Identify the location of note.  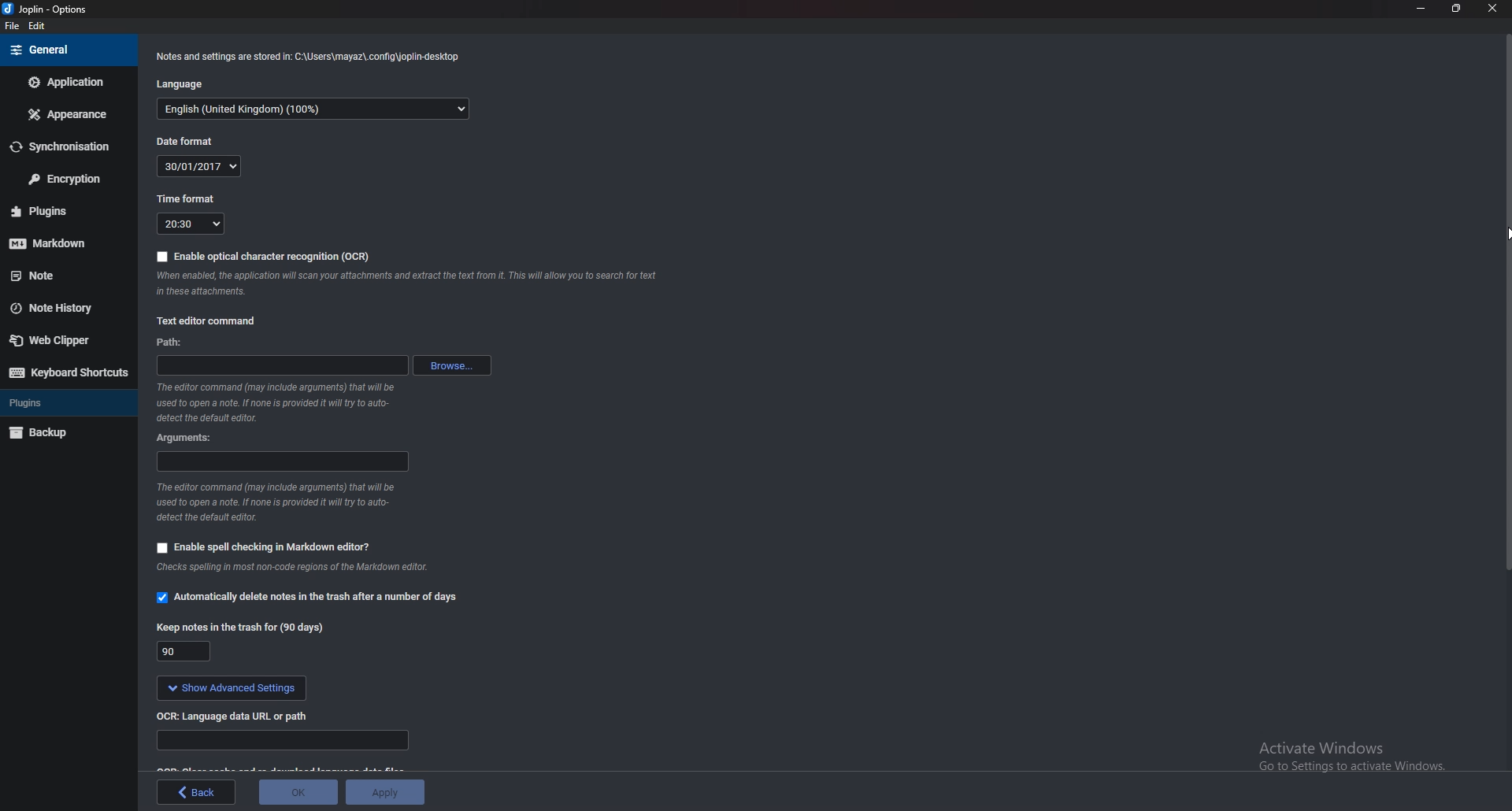
(54, 275).